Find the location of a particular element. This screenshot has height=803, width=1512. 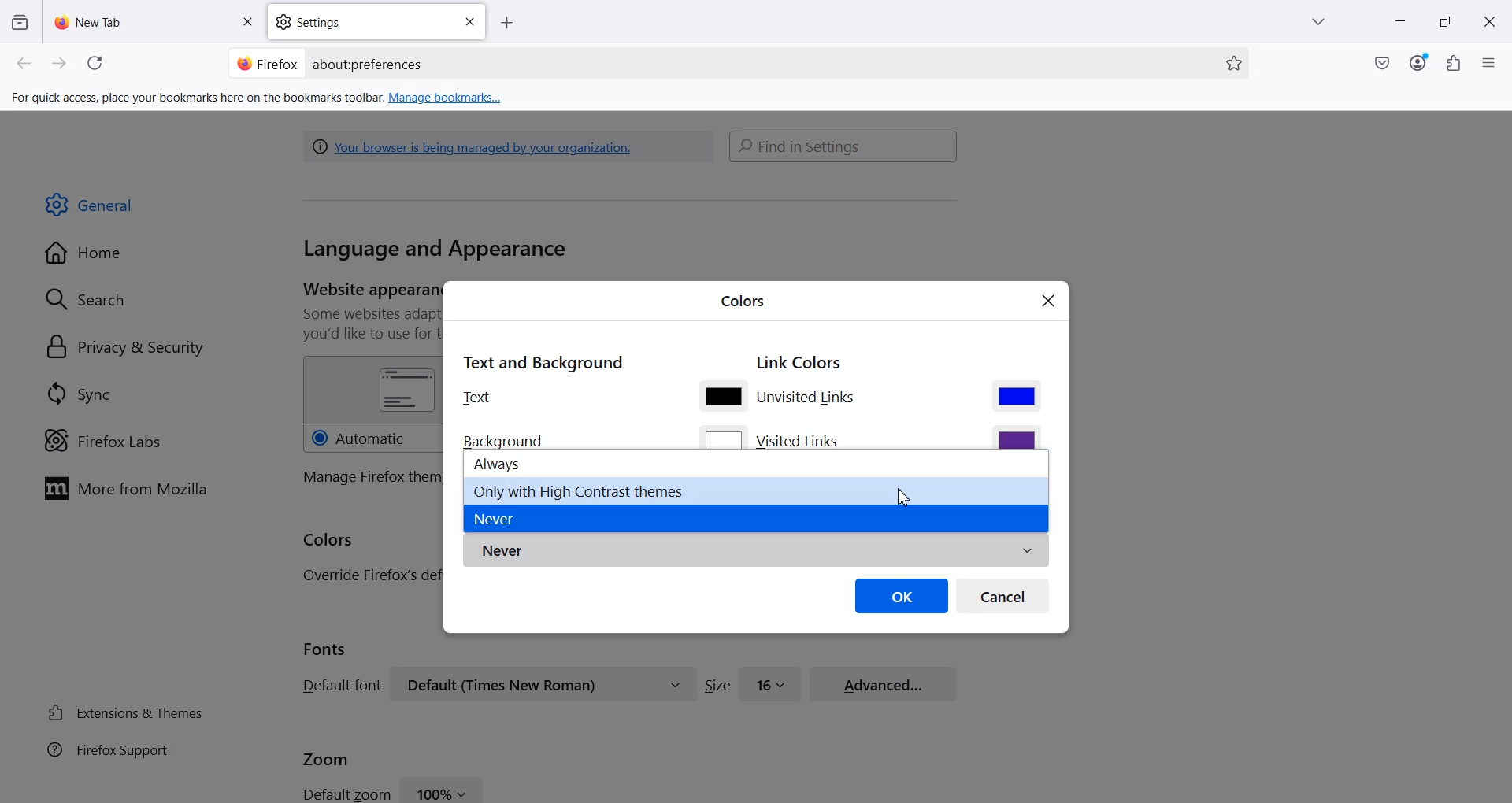

New Tab is located at coordinates (155, 21).